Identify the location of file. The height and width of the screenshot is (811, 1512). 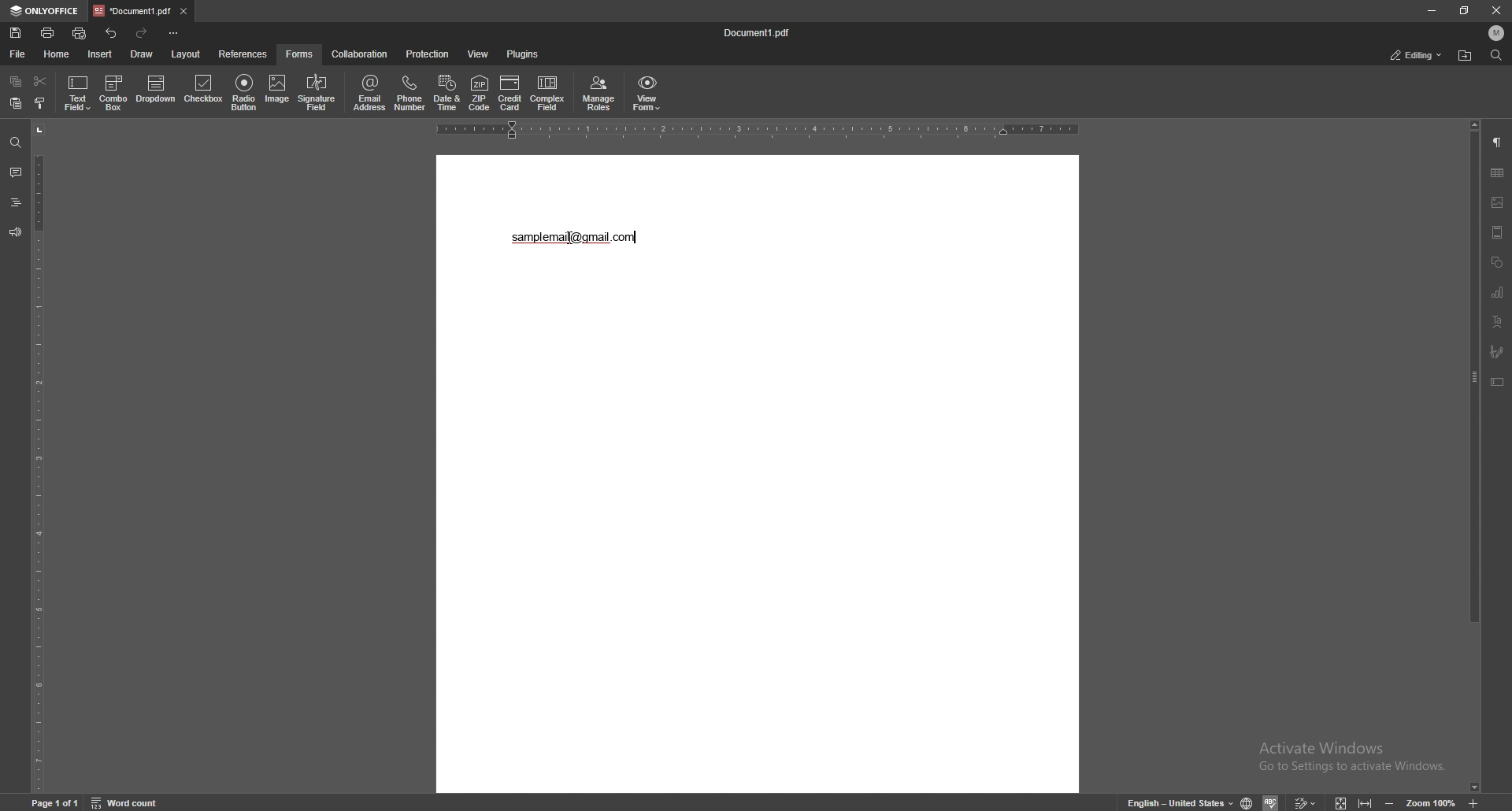
(17, 54).